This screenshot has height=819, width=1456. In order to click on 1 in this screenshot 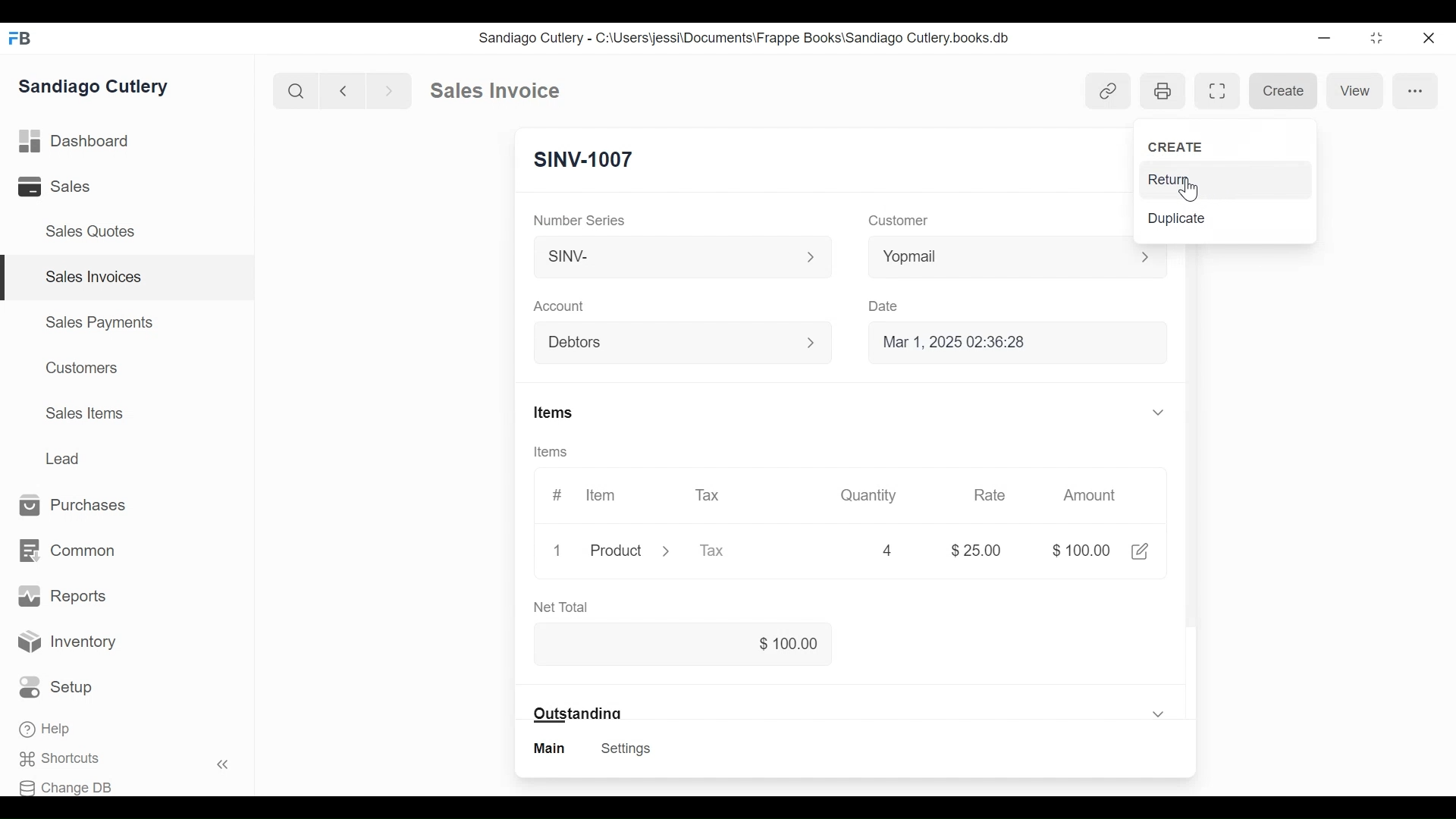, I will do `click(557, 550)`.